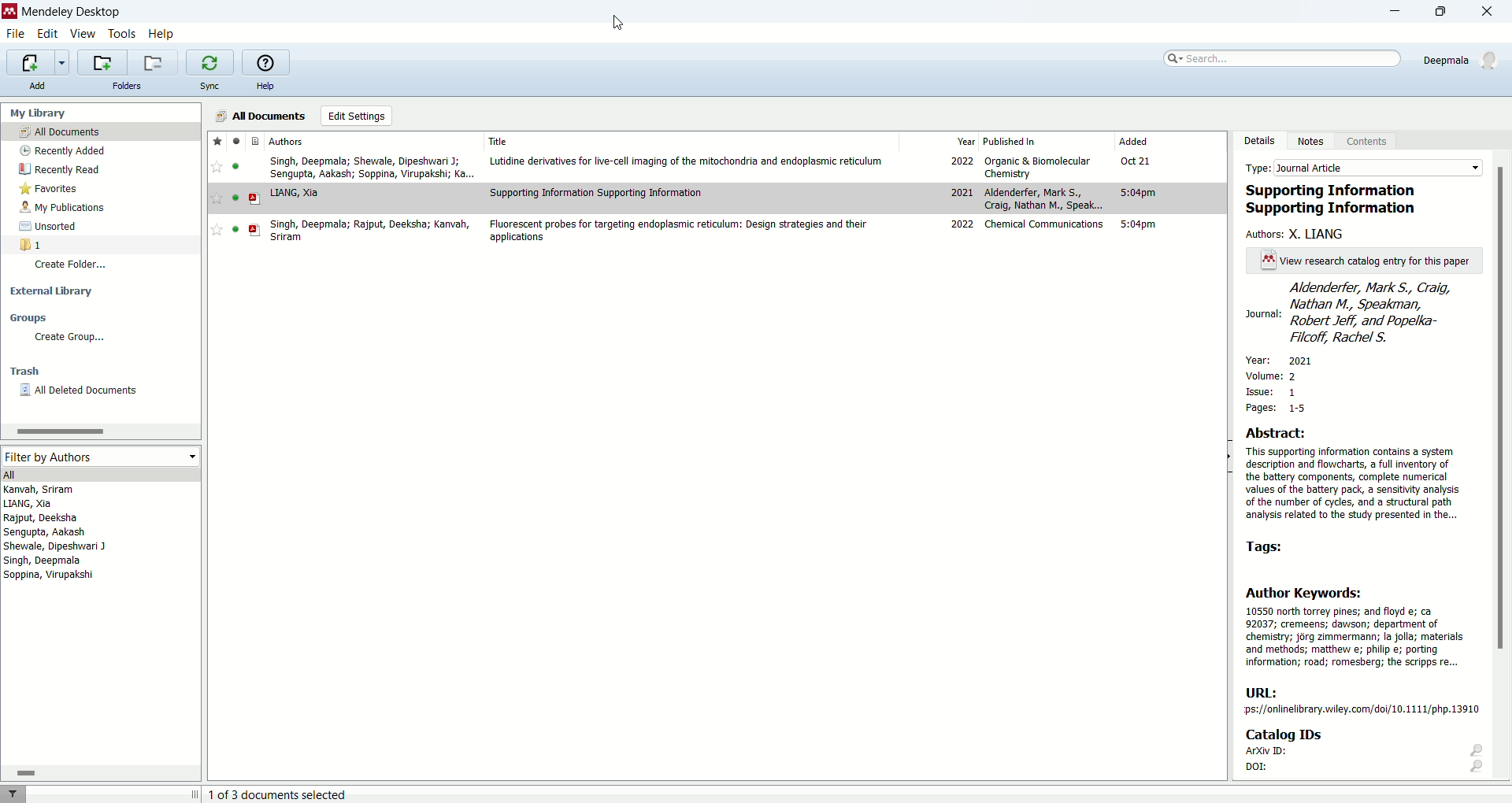  Describe the element at coordinates (209, 62) in the screenshot. I see `synchronize library with mendeley web` at that location.